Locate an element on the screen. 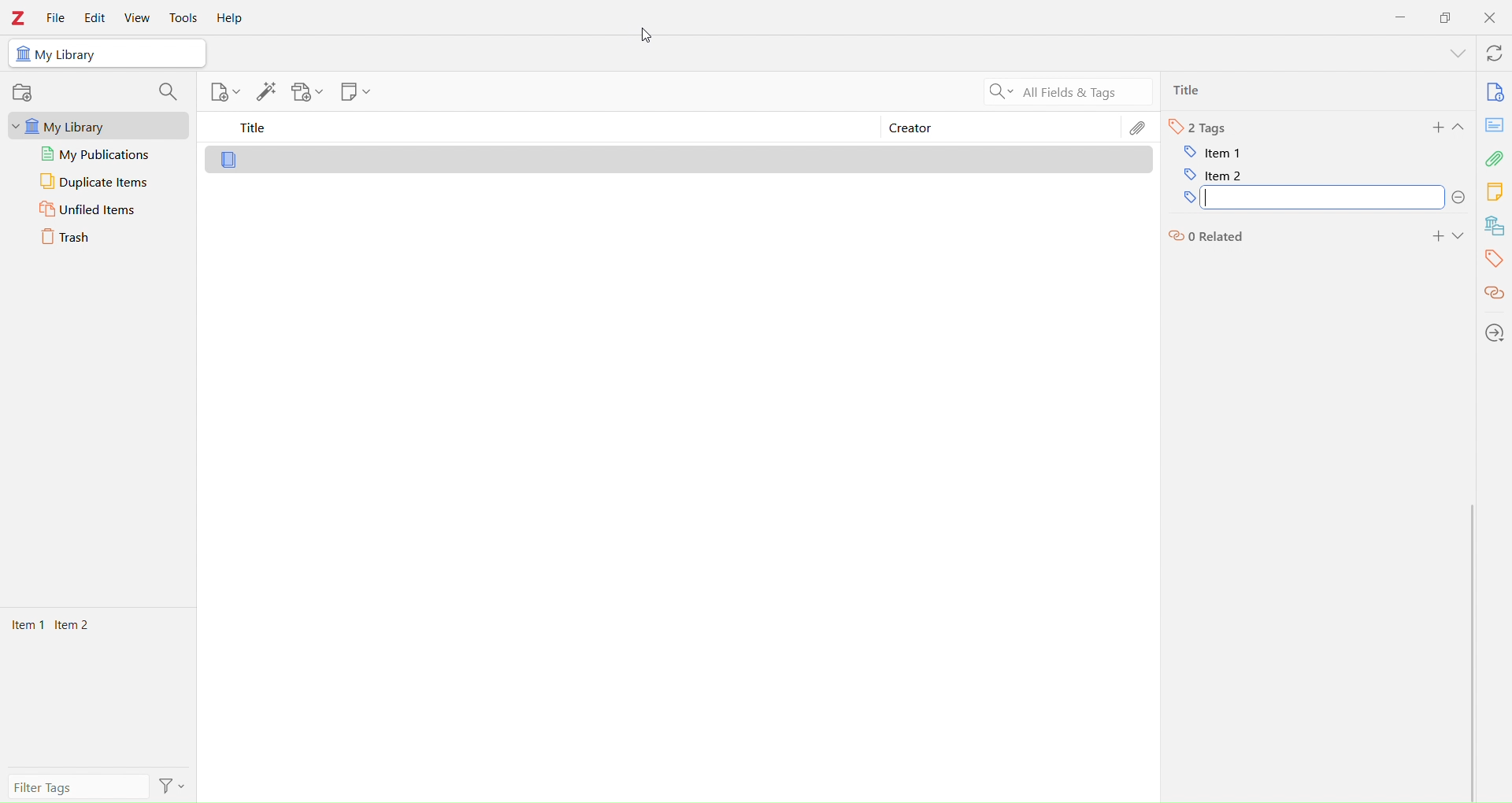  Tags is located at coordinates (1205, 130).